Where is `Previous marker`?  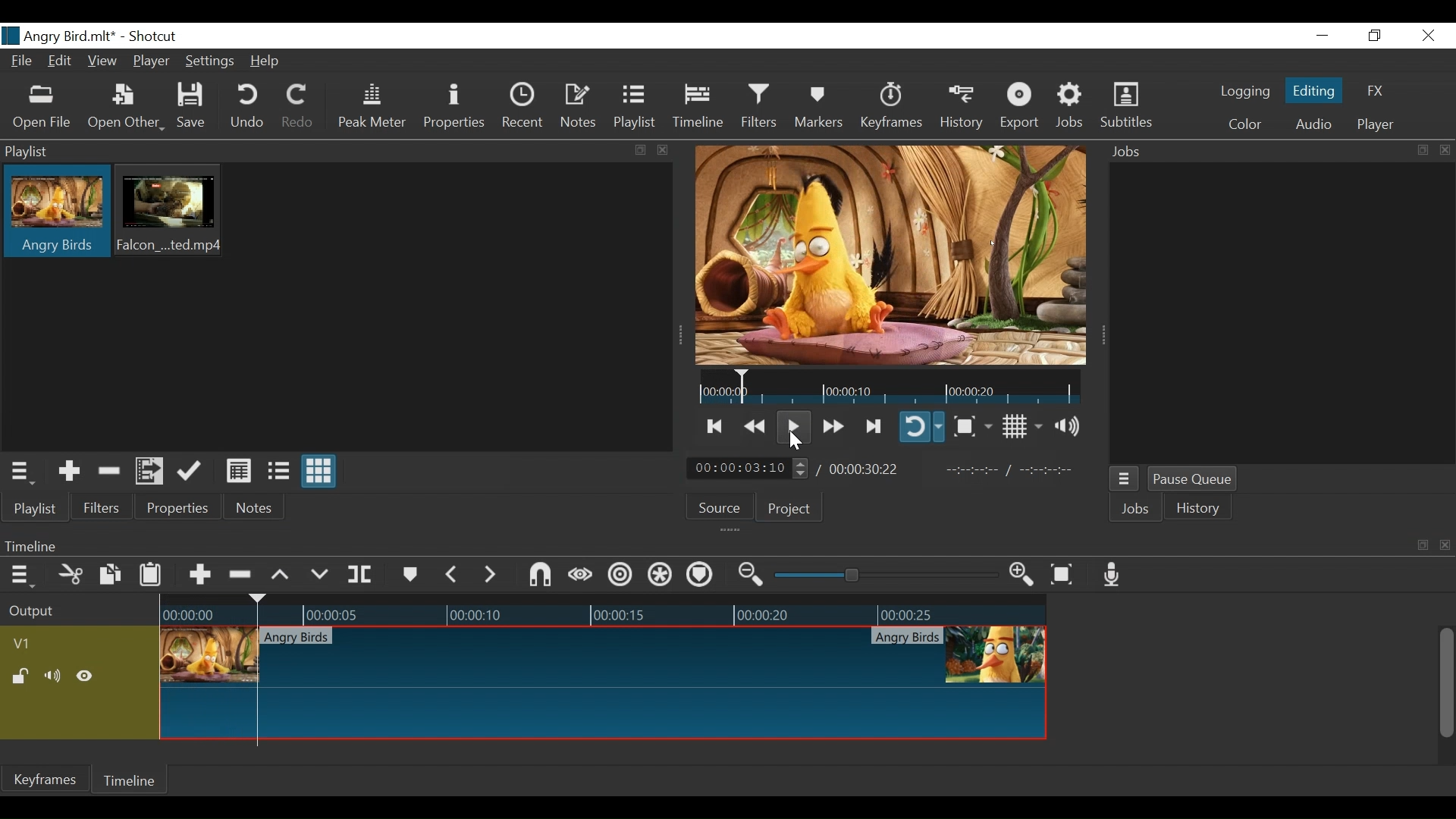 Previous marker is located at coordinates (453, 574).